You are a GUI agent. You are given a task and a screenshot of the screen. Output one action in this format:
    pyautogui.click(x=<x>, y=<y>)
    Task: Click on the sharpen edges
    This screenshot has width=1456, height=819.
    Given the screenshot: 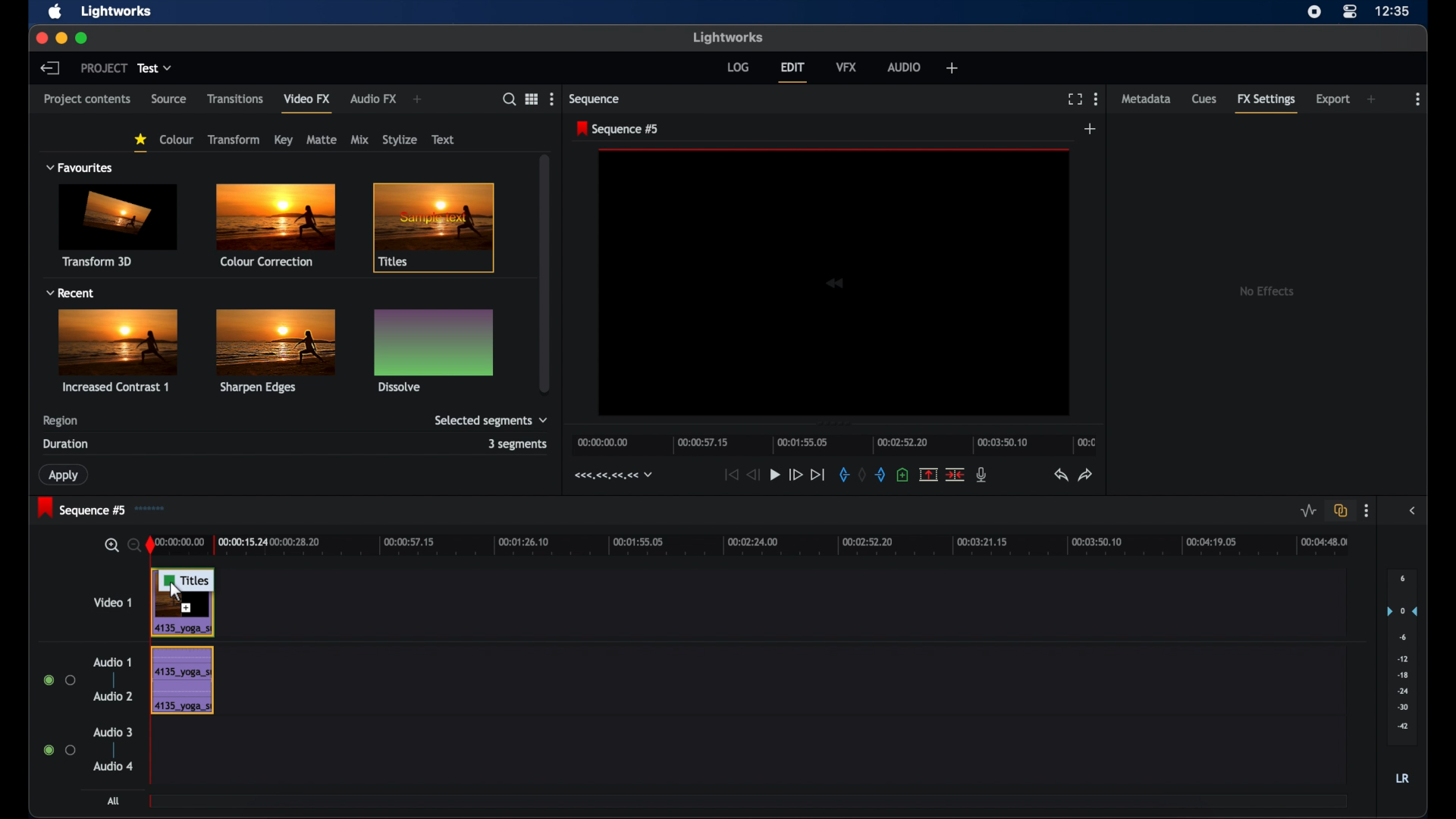 What is the action you would take?
    pyautogui.click(x=273, y=350)
    